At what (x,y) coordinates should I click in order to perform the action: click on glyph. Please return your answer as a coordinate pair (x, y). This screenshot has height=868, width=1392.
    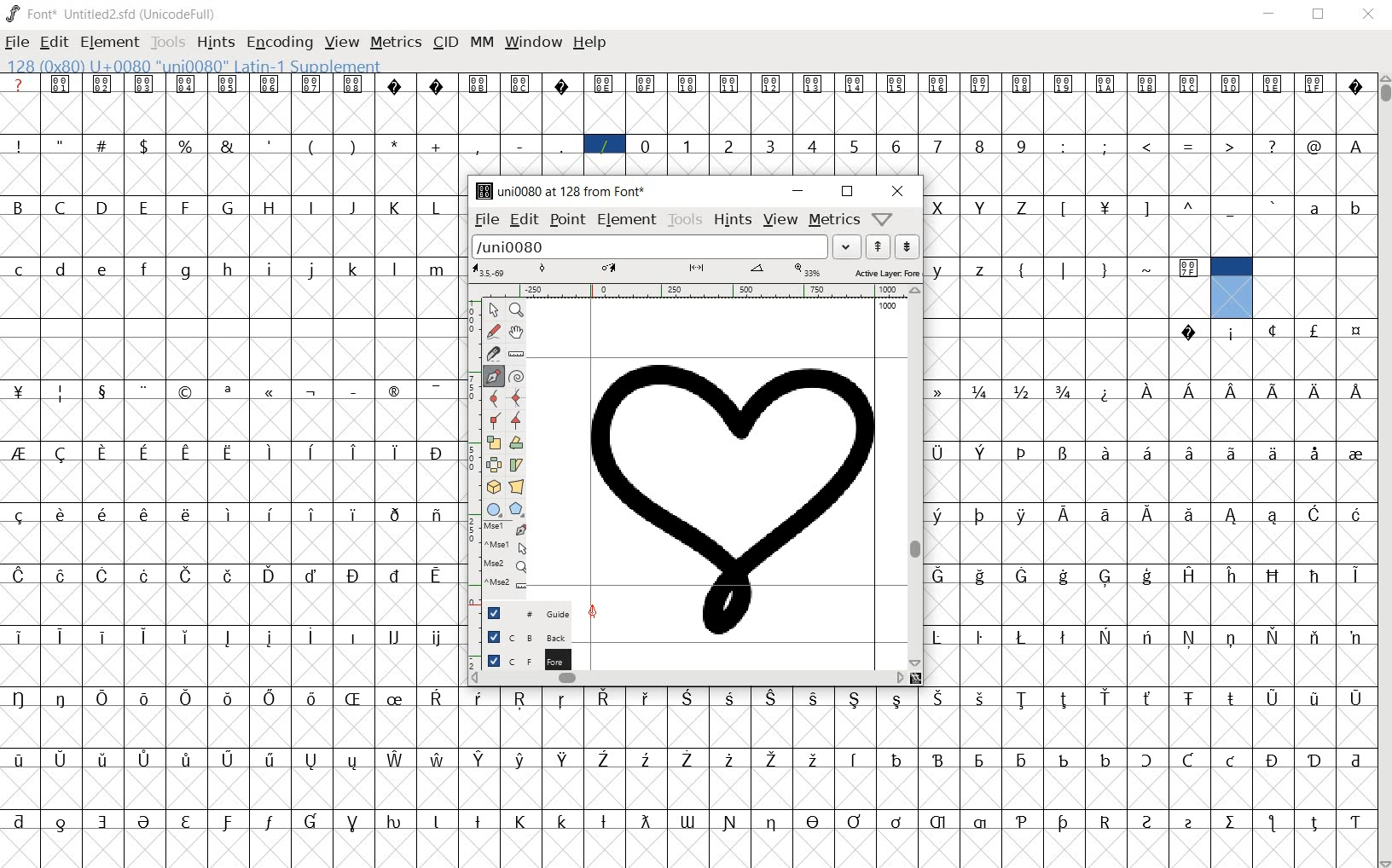
    Looking at the image, I should click on (980, 698).